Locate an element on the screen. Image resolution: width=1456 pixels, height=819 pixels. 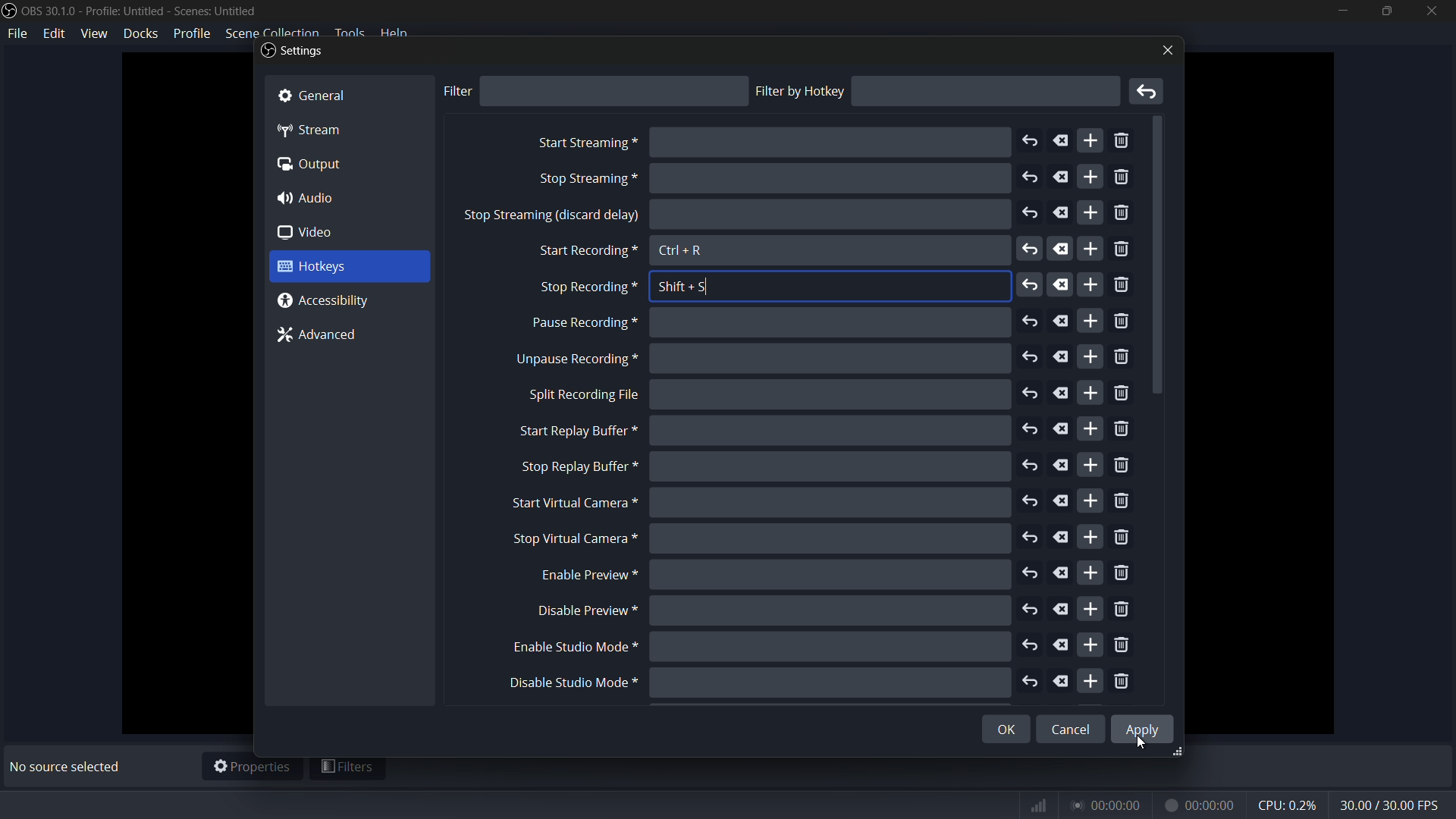
add more is located at coordinates (1090, 356).